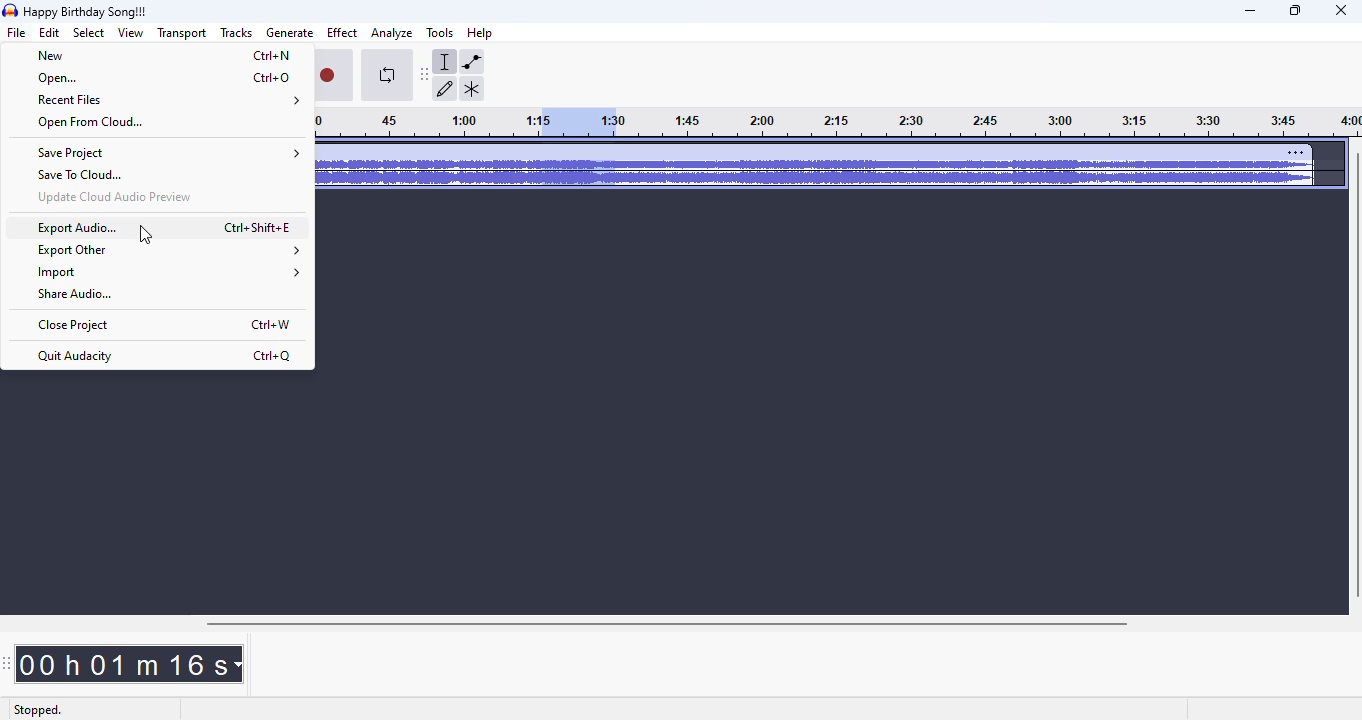  What do you see at coordinates (1296, 11) in the screenshot?
I see `maximize` at bounding box center [1296, 11].